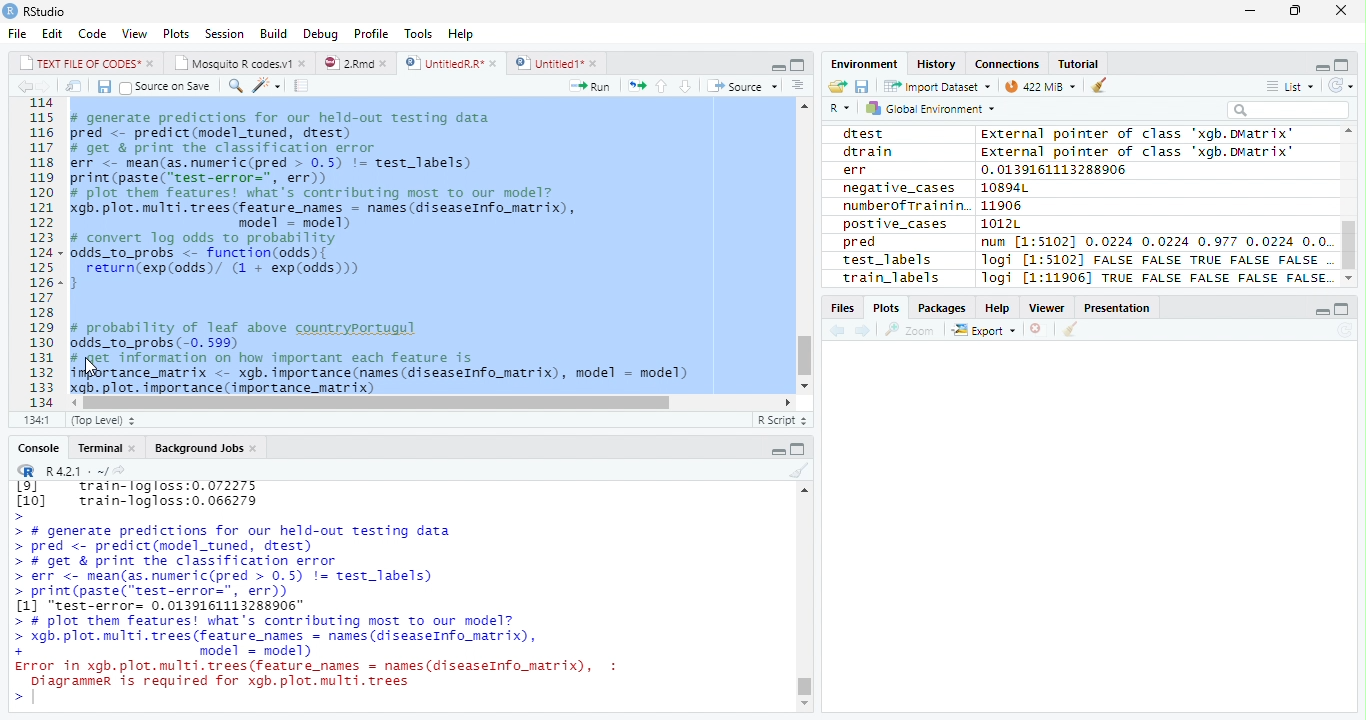 The height and width of the screenshot is (720, 1366). What do you see at coordinates (889, 279) in the screenshot?
I see `train_labels` at bounding box center [889, 279].